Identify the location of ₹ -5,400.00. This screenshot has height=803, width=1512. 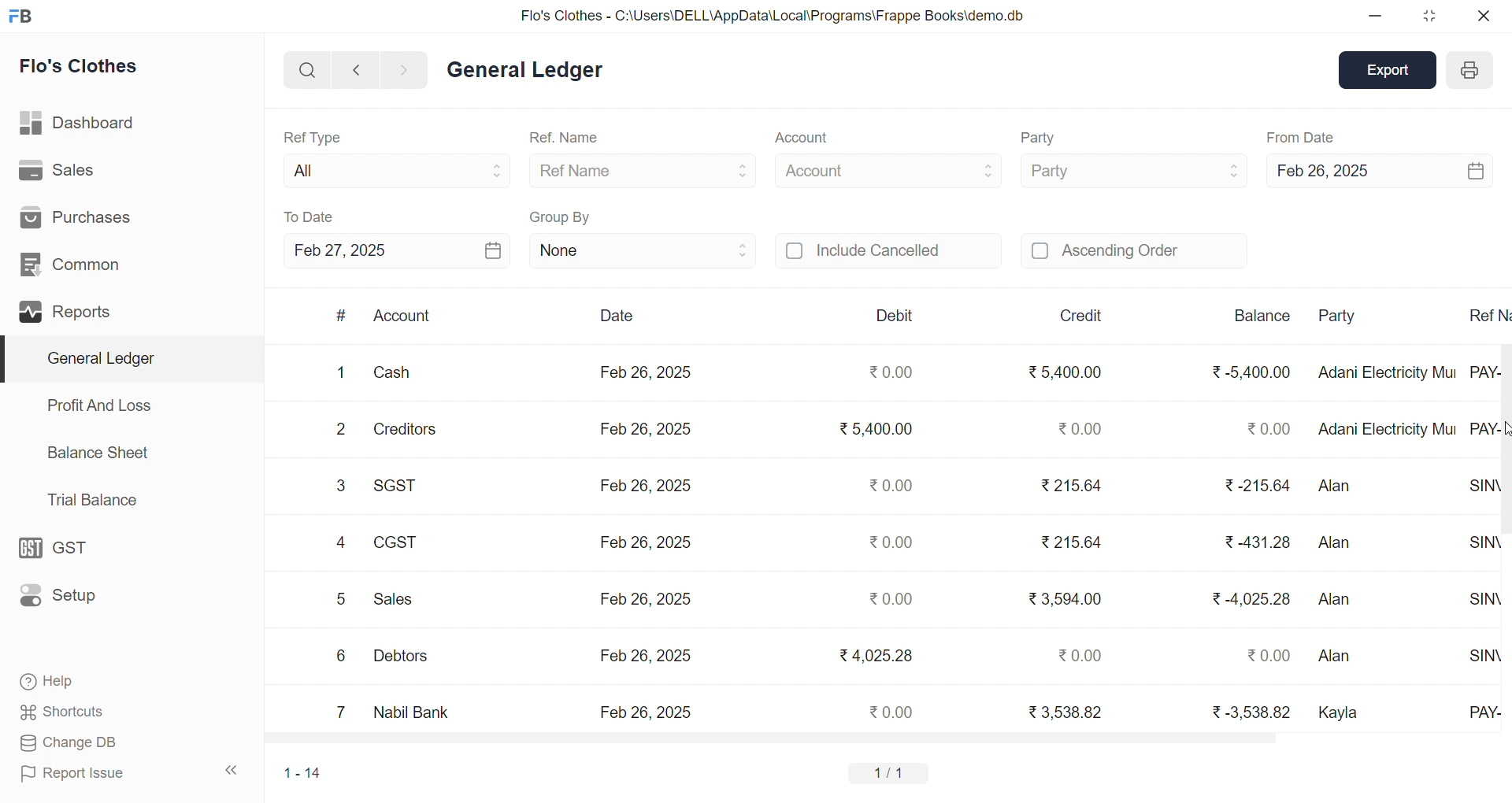
(1248, 372).